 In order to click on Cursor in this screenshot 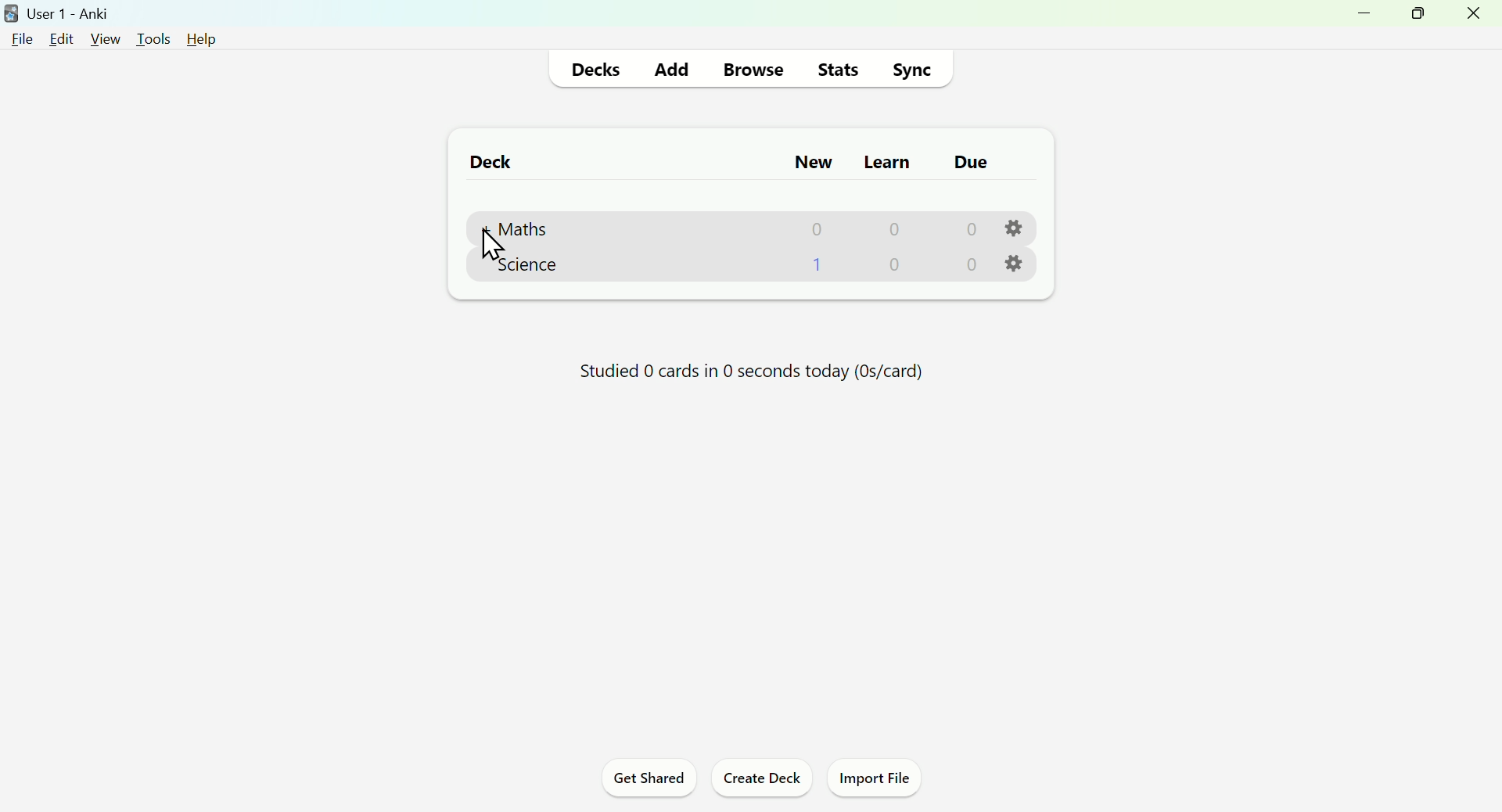, I will do `click(491, 246)`.